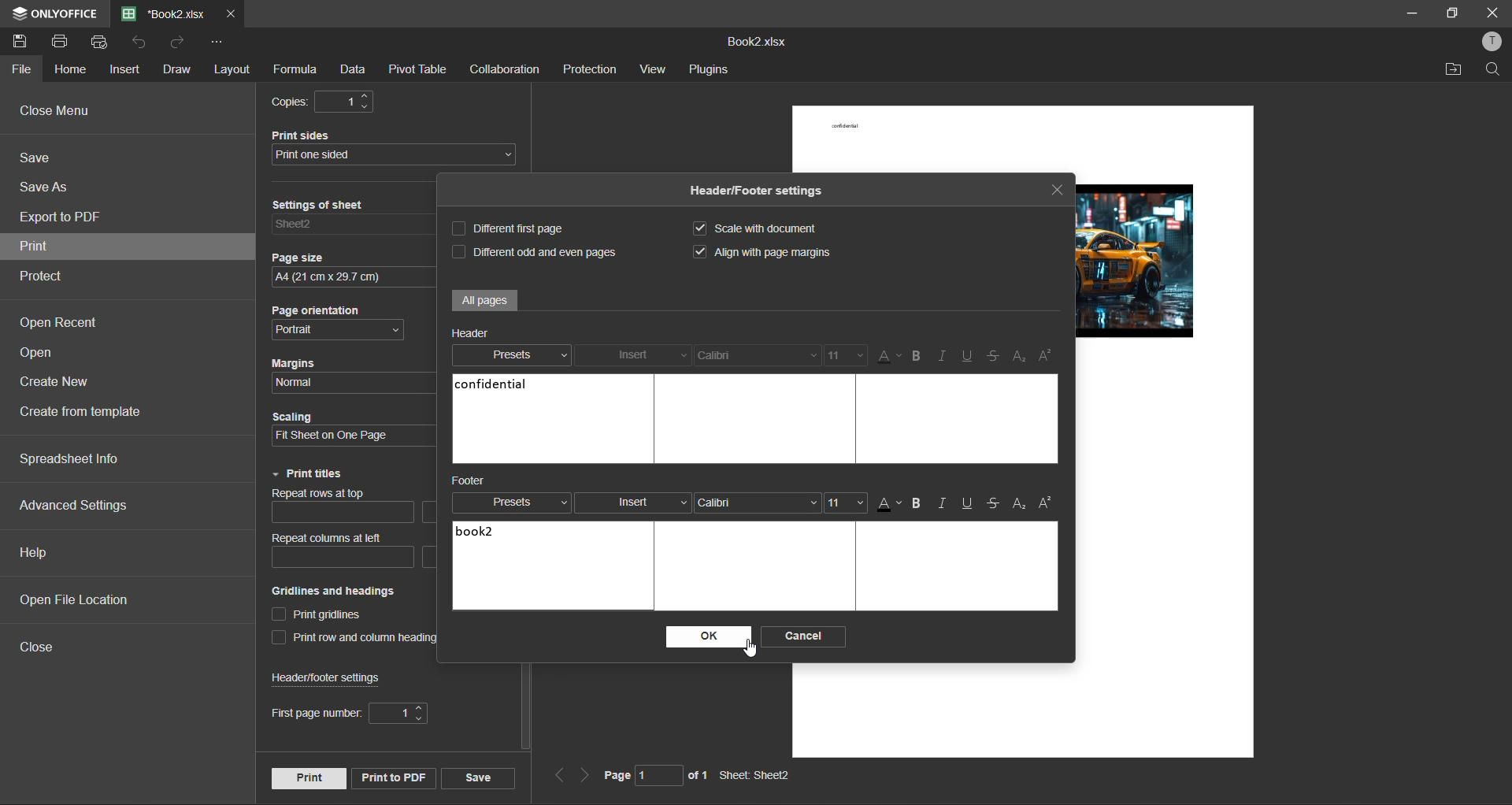 The width and height of the screenshot is (1512, 805). What do you see at coordinates (1450, 14) in the screenshot?
I see `maximize` at bounding box center [1450, 14].